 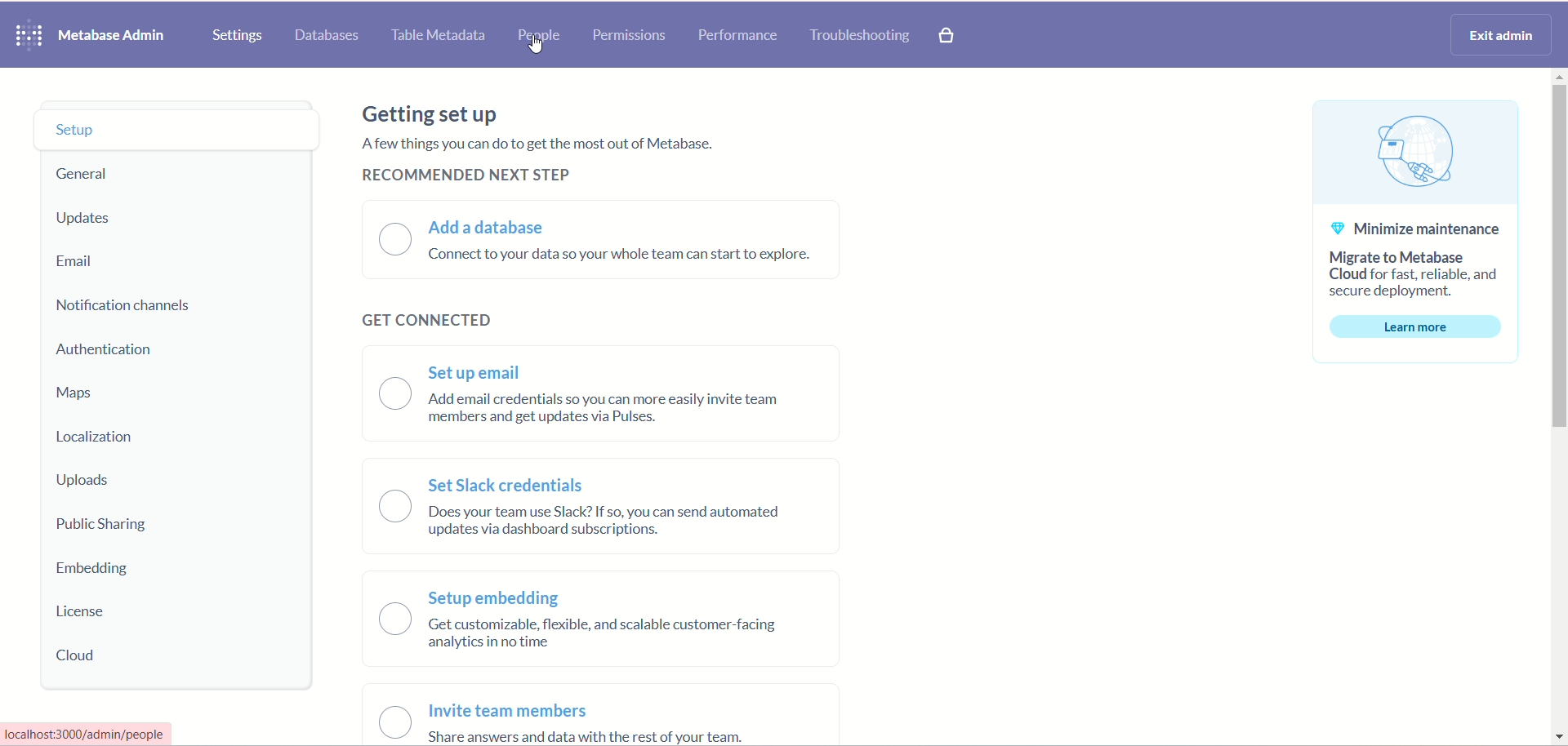 What do you see at coordinates (1417, 277) in the screenshot?
I see `text` at bounding box center [1417, 277].